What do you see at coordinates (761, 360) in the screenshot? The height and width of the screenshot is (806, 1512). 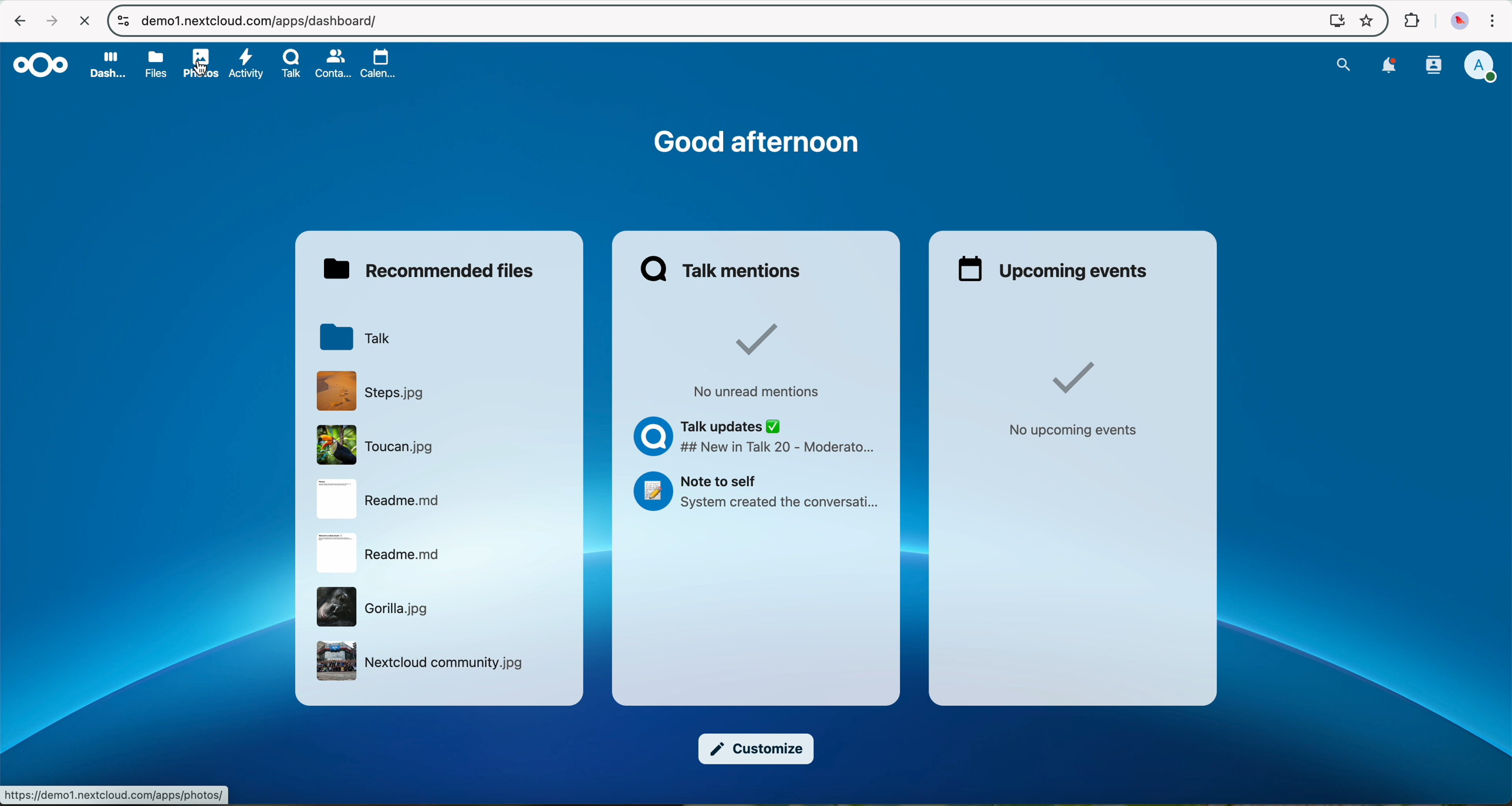 I see `no unread mentions` at bounding box center [761, 360].